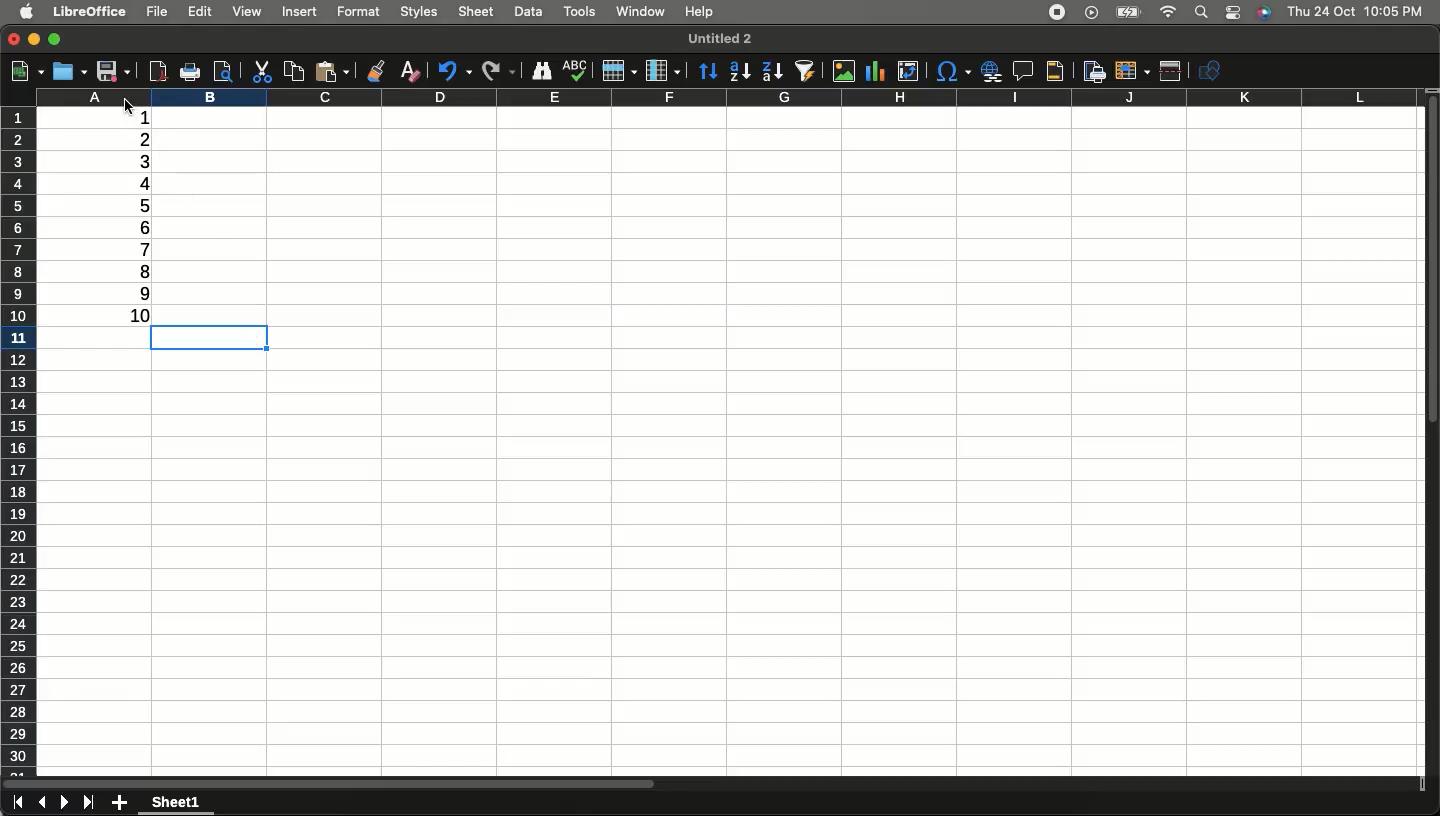 This screenshot has height=816, width=1440. Describe the element at coordinates (504, 779) in the screenshot. I see `Horizontal Scroll bar` at that location.